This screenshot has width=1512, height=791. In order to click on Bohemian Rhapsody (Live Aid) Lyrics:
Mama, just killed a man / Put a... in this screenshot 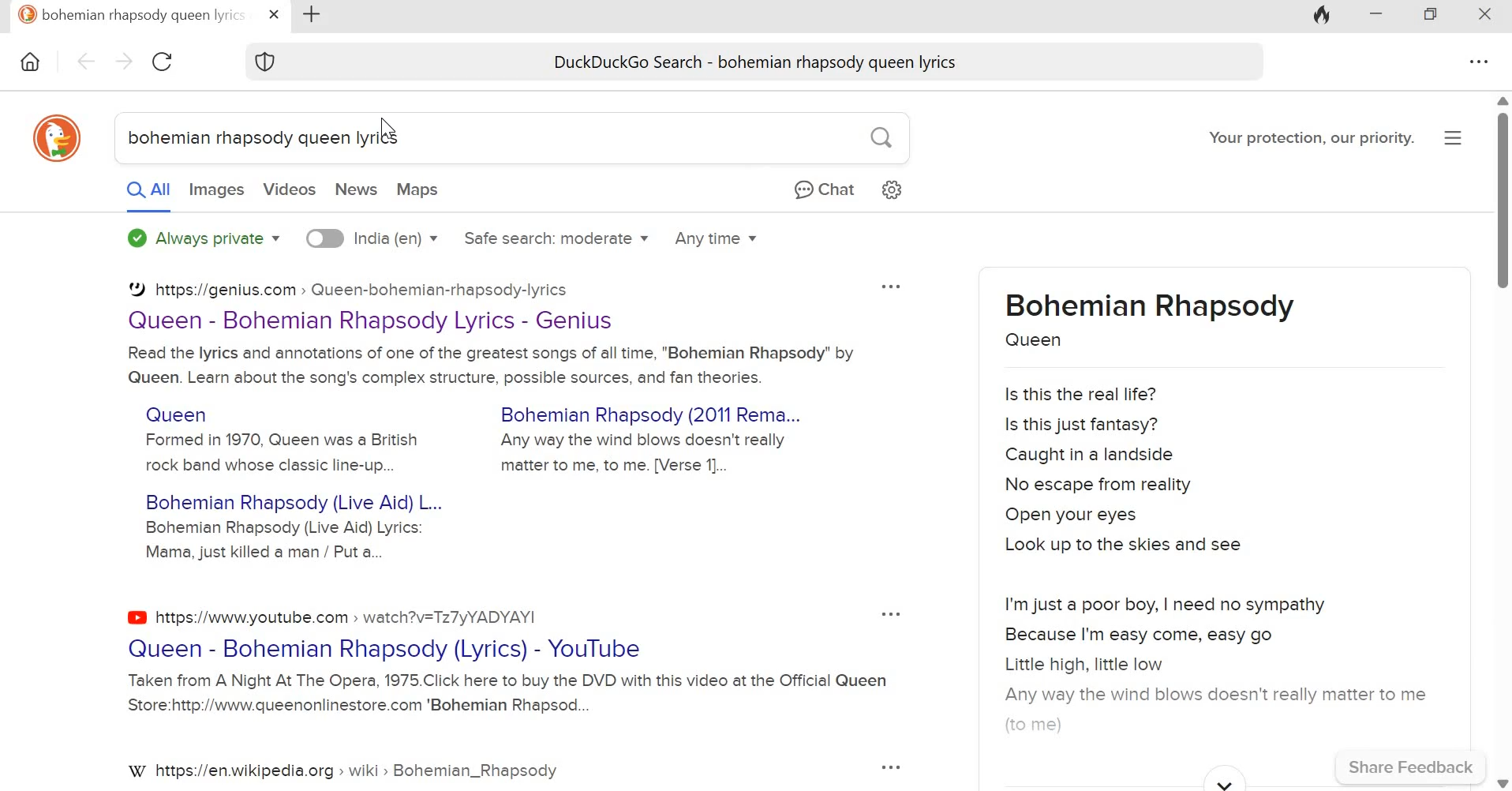, I will do `click(292, 542)`.